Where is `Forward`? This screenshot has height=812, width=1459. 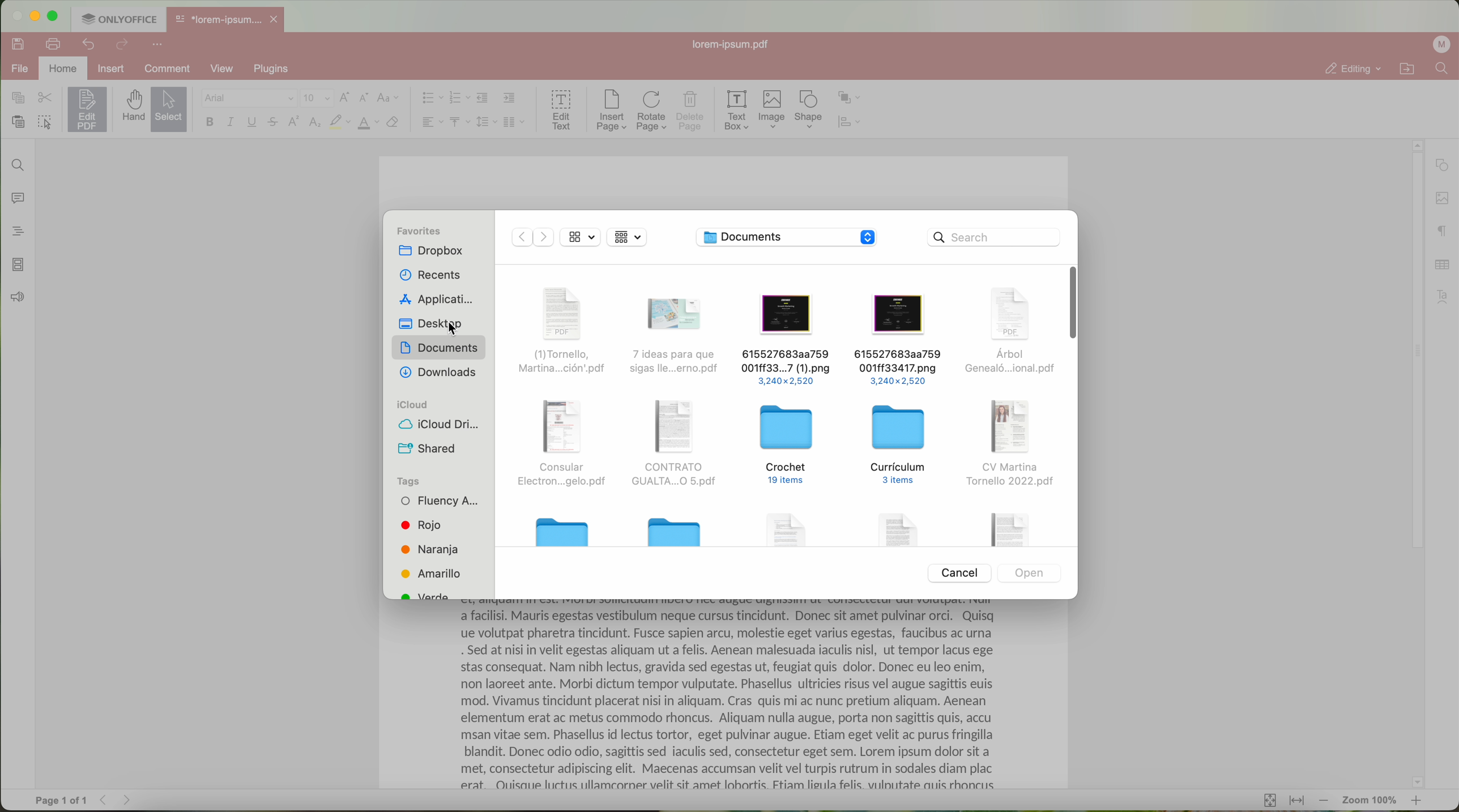 Forward is located at coordinates (131, 800).